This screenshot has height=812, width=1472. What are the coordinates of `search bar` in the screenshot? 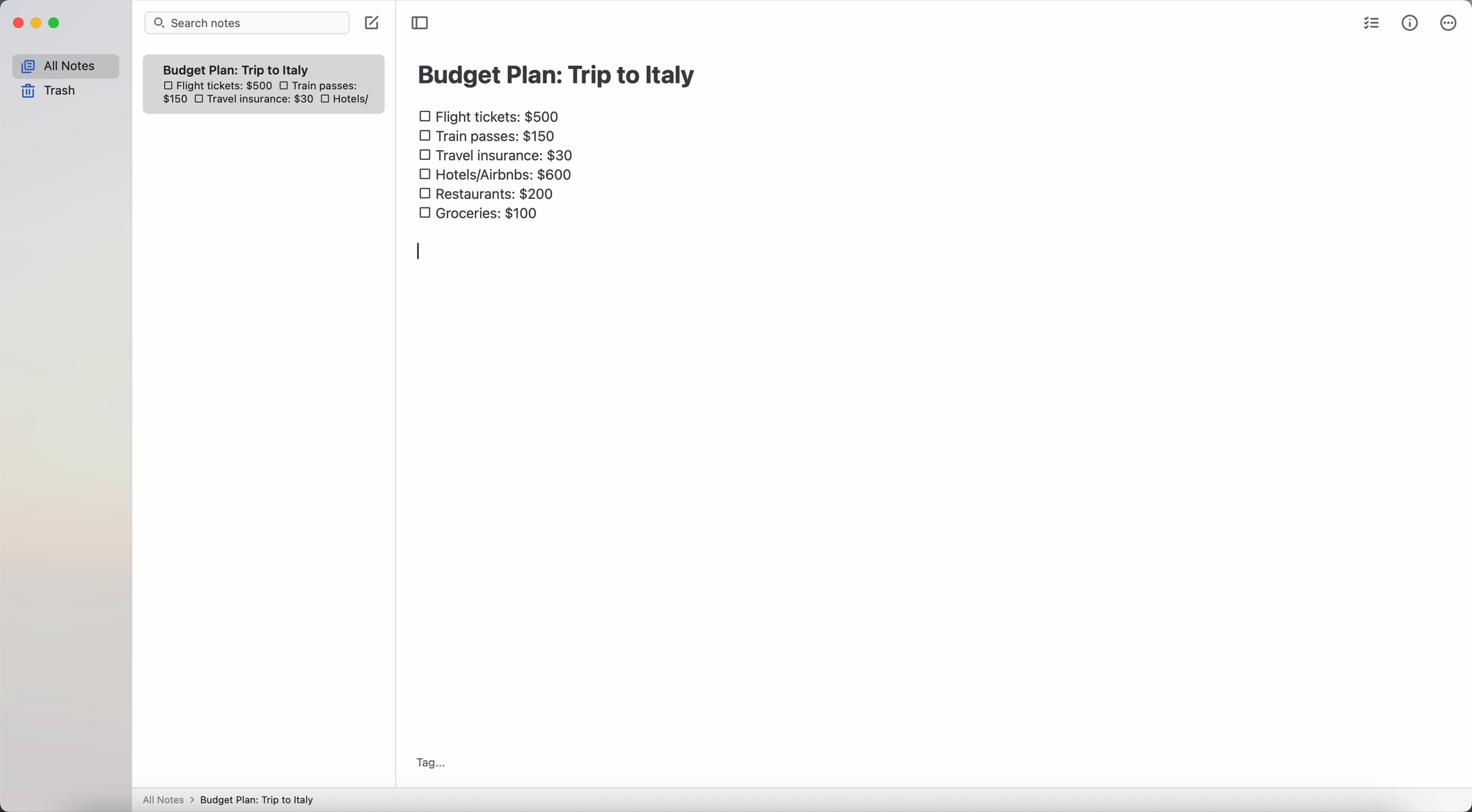 It's located at (247, 23).